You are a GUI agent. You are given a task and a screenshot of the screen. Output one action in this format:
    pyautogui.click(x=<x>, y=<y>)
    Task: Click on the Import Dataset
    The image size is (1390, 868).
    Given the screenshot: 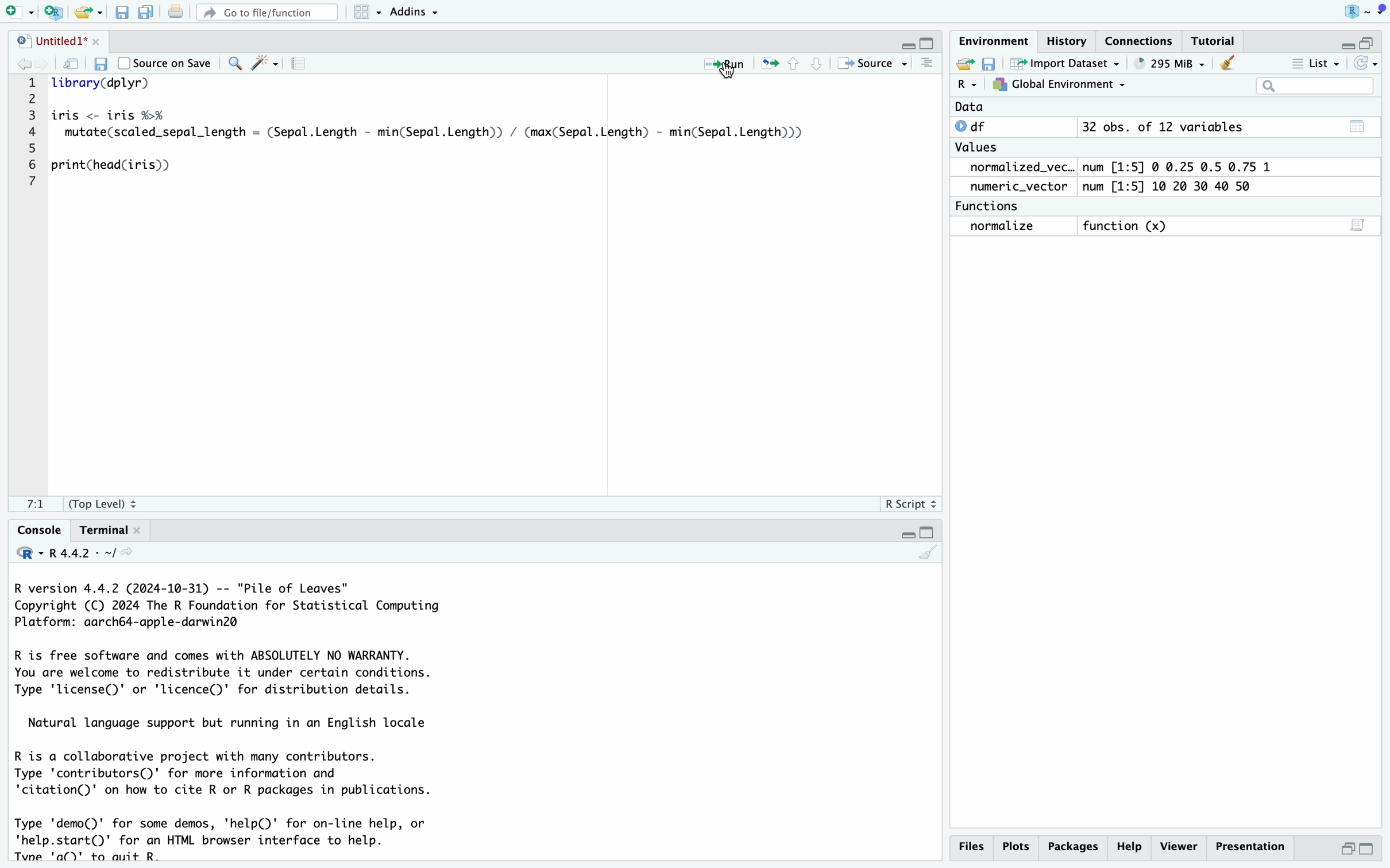 What is the action you would take?
    pyautogui.click(x=1068, y=63)
    